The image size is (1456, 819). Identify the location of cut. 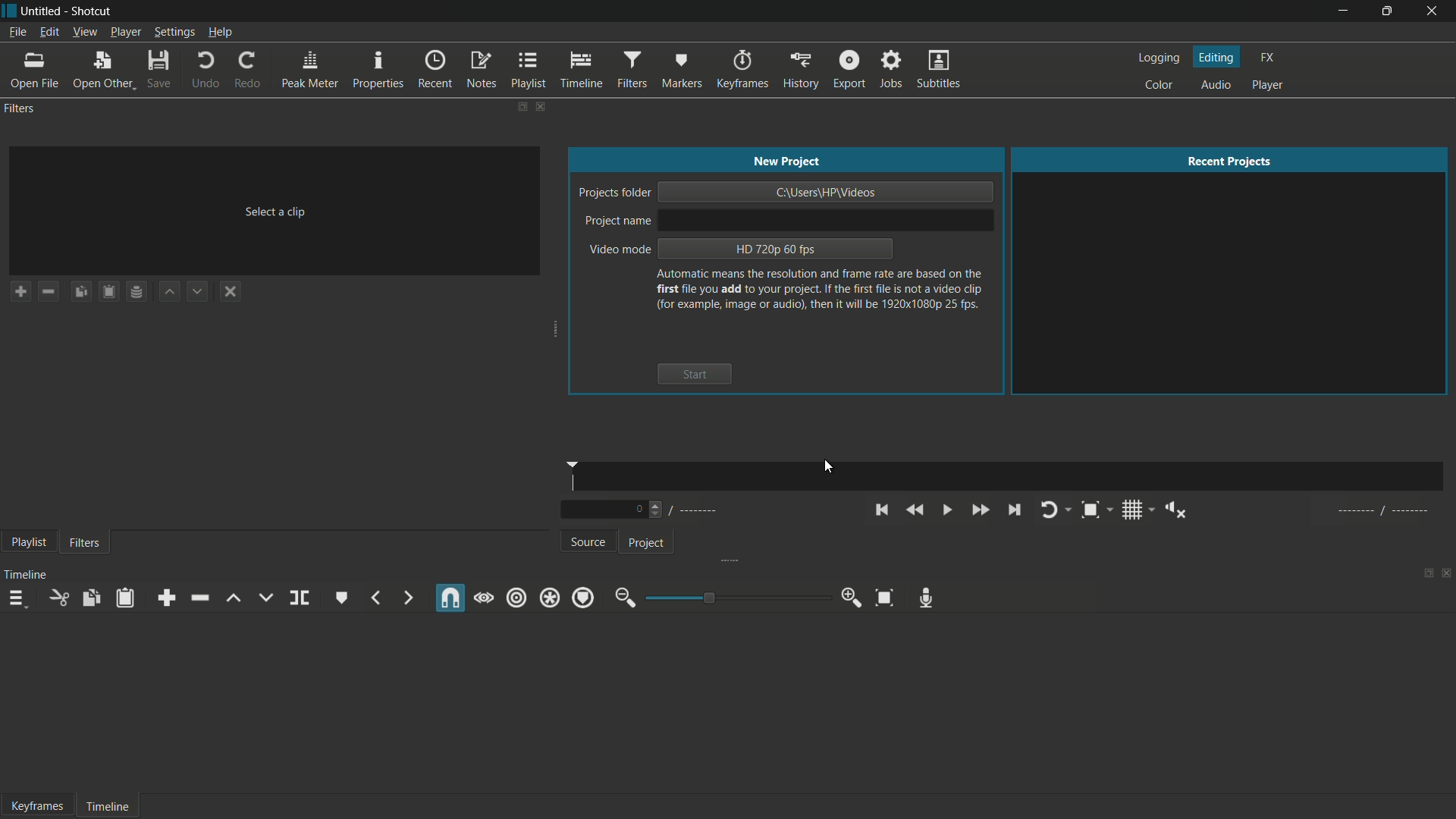
(58, 600).